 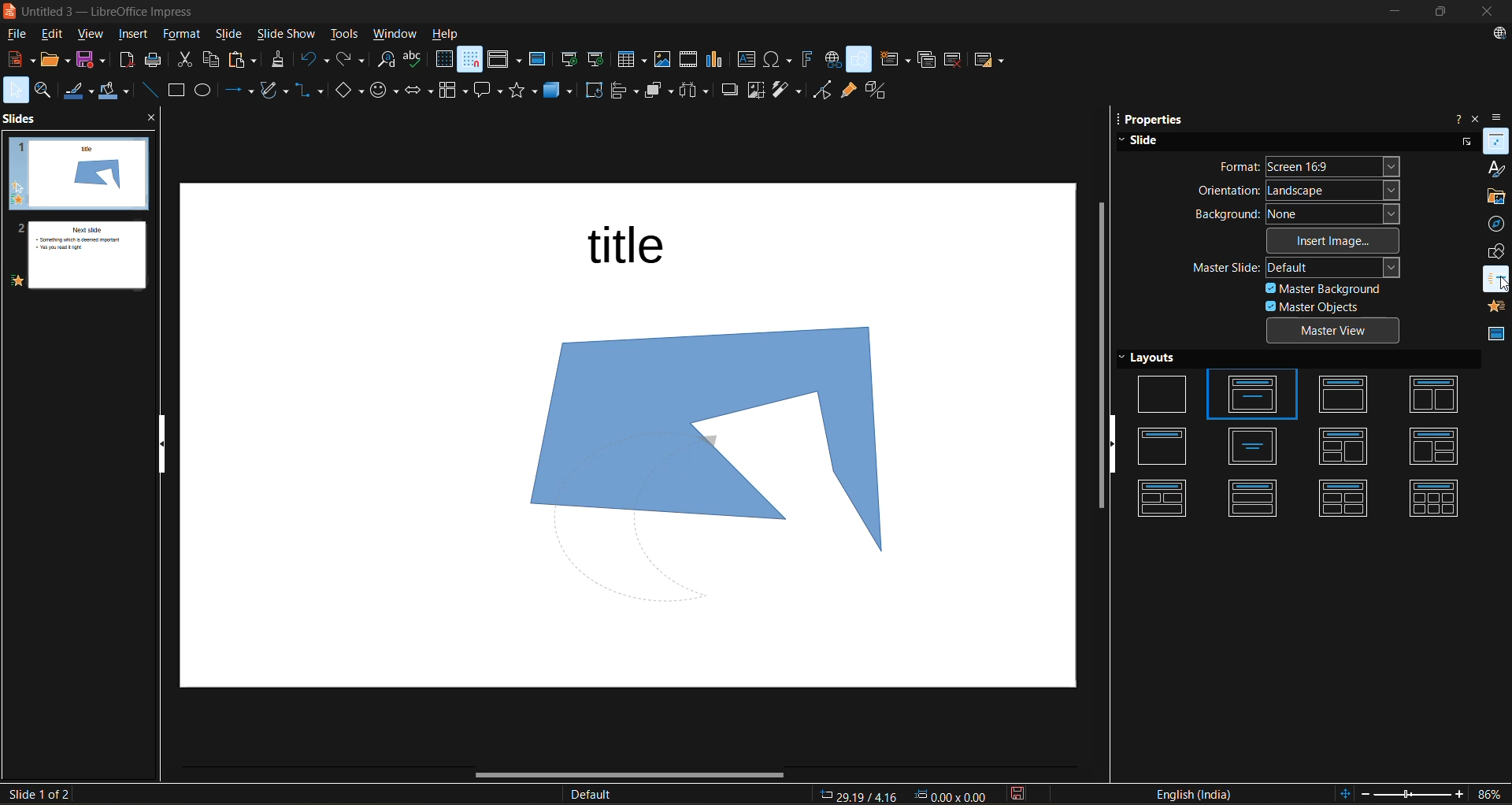 What do you see at coordinates (156, 61) in the screenshot?
I see `print` at bounding box center [156, 61].